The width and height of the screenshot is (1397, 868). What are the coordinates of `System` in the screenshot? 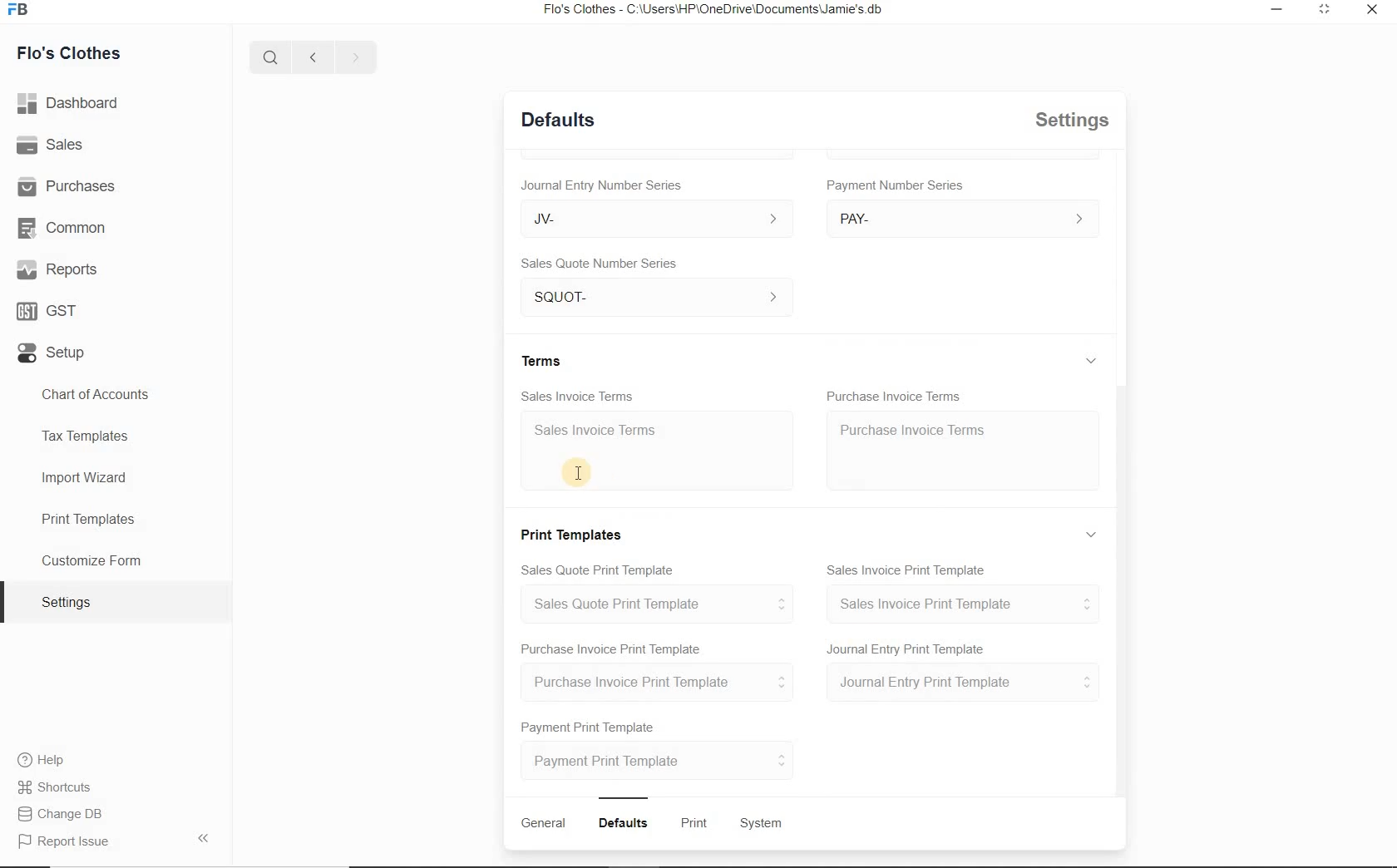 It's located at (763, 824).